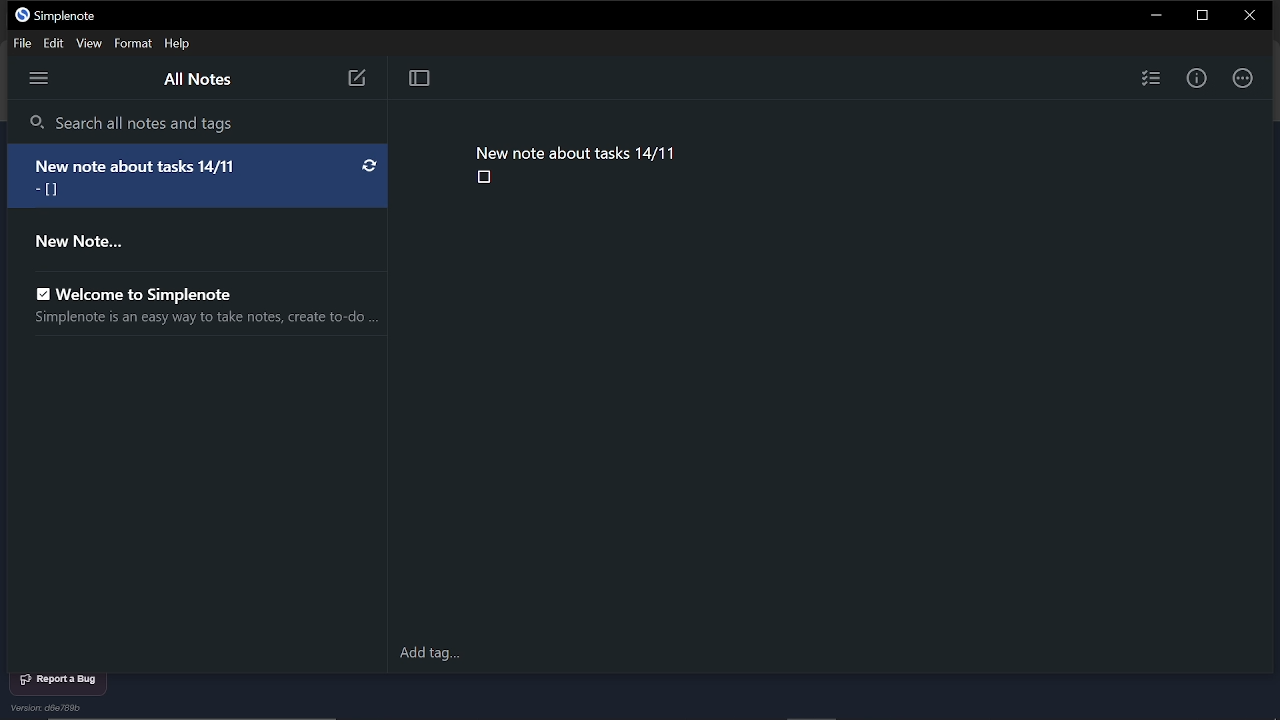  What do you see at coordinates (1151, 77) in the screenshot?
I see `Insert checklist` at bounding box center [1151, 77].